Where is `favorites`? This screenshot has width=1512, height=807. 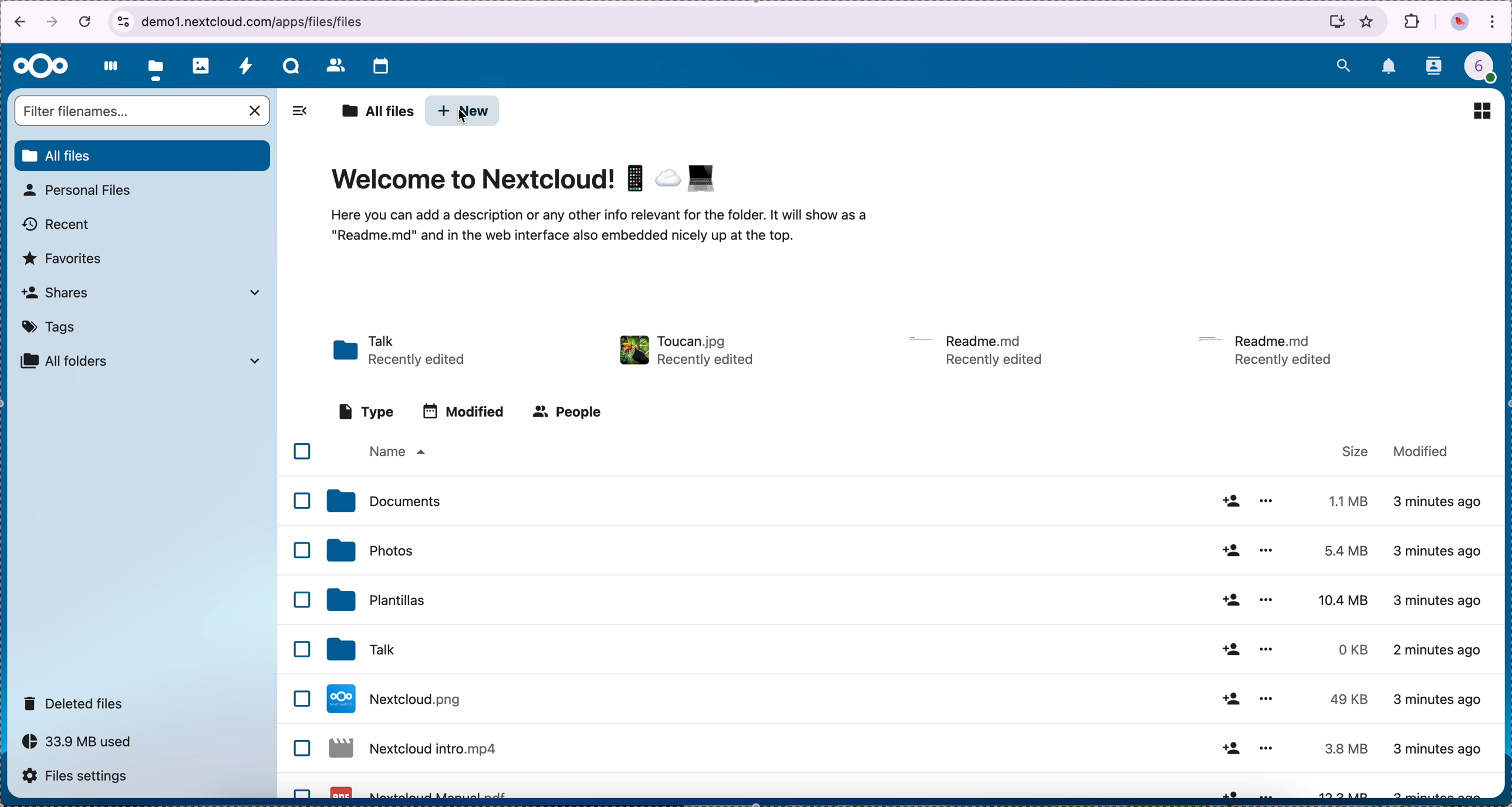 favorites is located at coordinates (63, 259).